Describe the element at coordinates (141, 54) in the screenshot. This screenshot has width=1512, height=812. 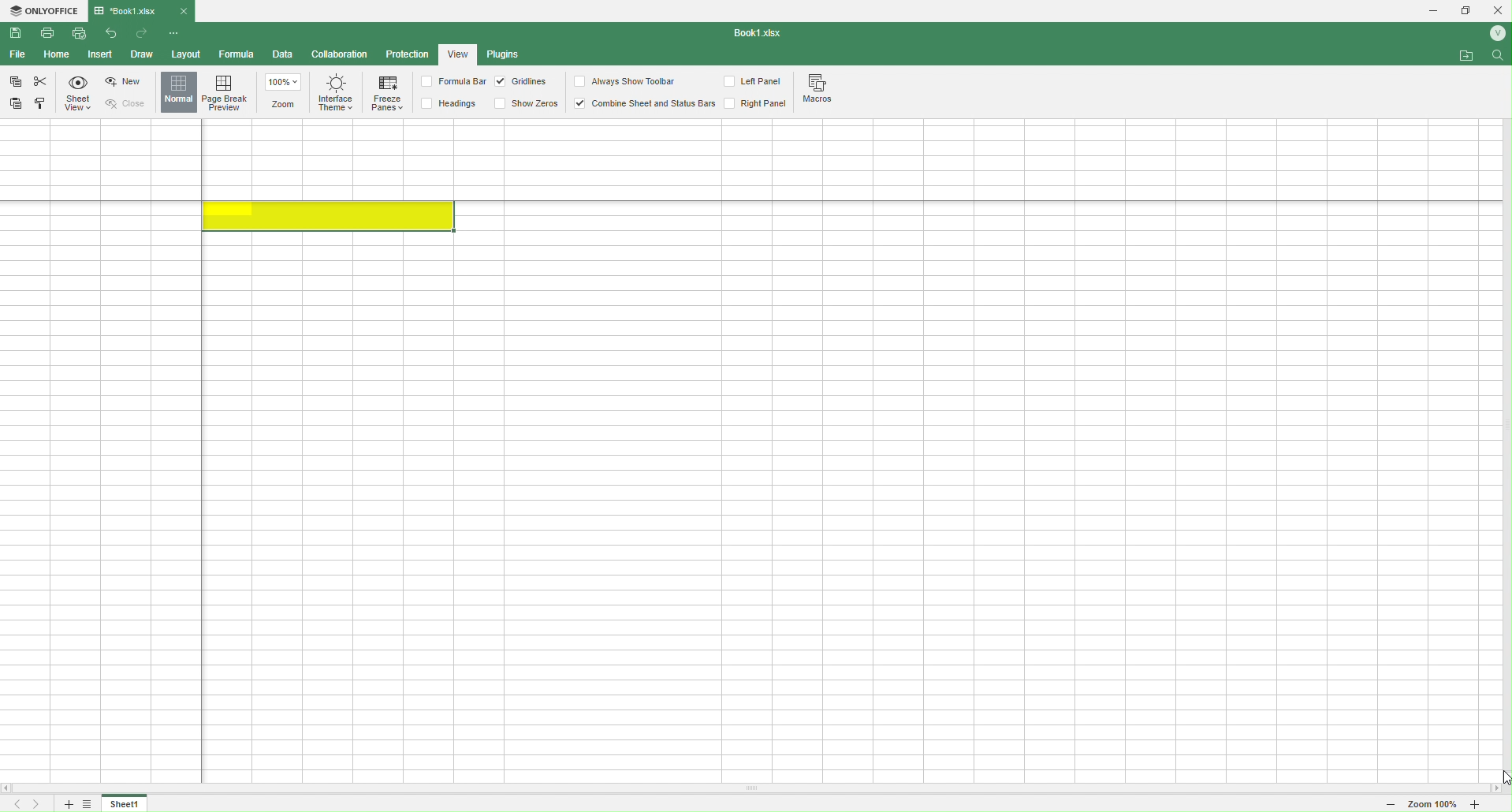
I see `Draw` at that location.